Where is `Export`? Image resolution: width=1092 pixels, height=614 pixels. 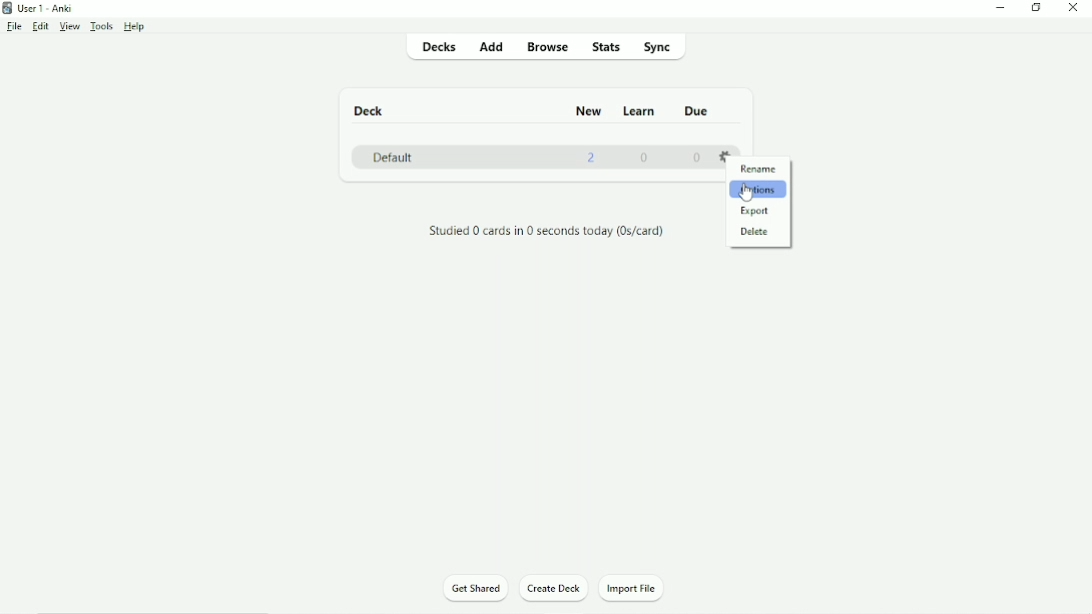
Export is located at coordinates (757, 212).